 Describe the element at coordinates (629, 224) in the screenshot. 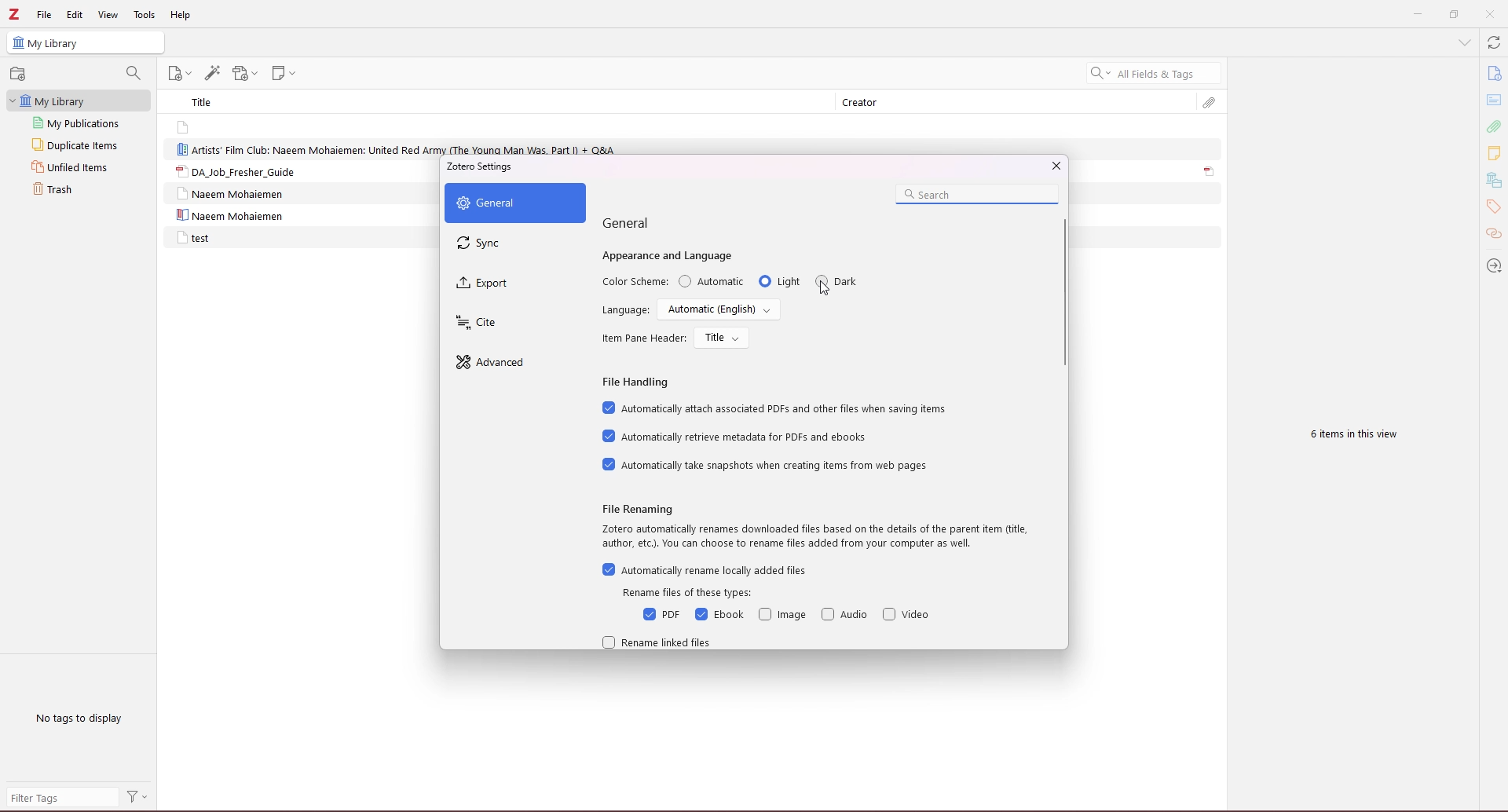

I see `general` at that location.